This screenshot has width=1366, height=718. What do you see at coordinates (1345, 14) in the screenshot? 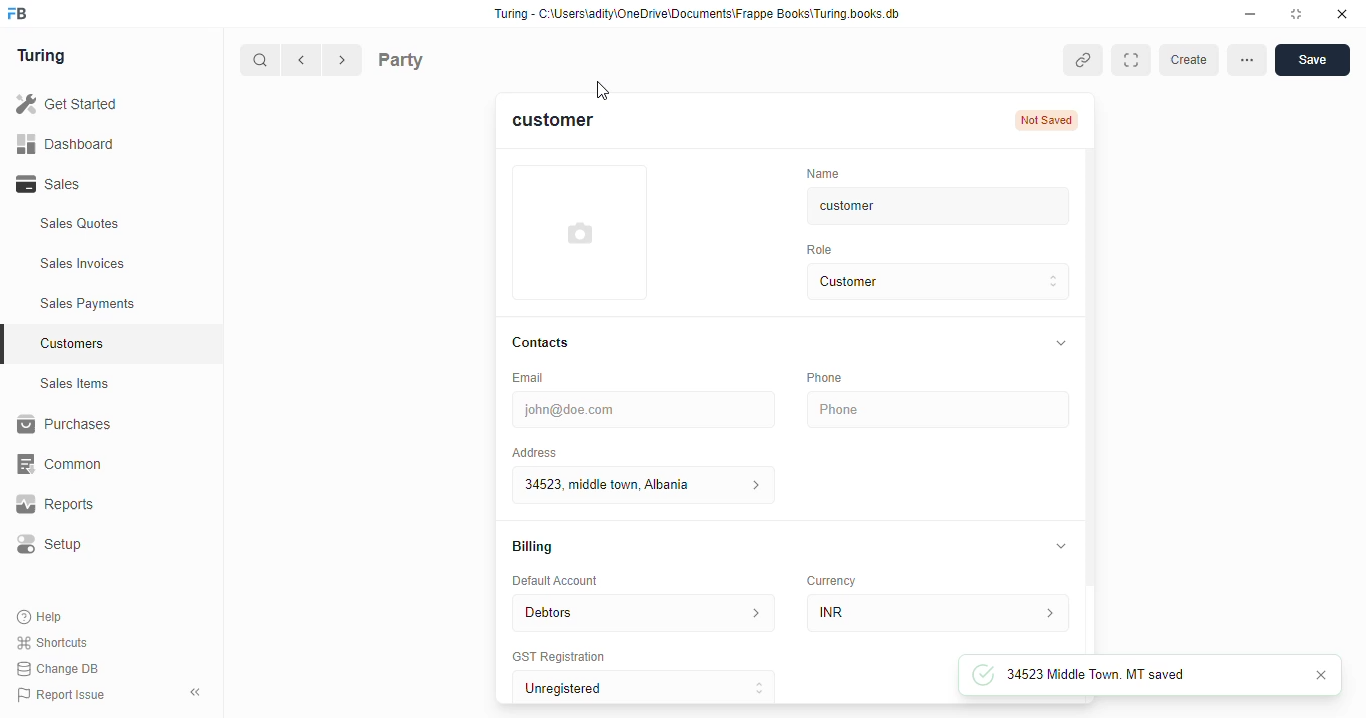
I see `close` at bounding box center [1345, 14].